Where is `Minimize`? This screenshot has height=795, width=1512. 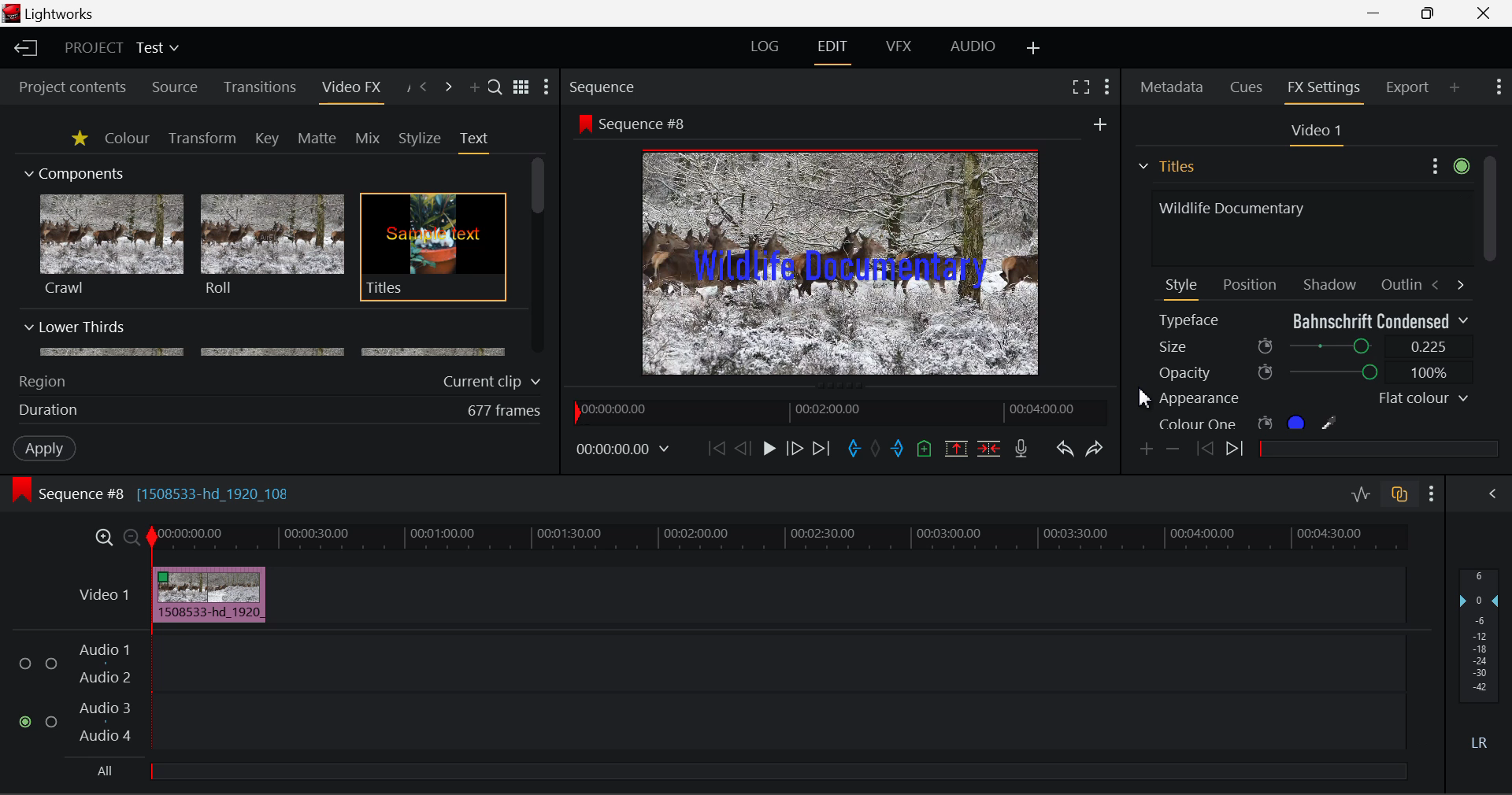 Minimize is located at coordinates (1432, 12).